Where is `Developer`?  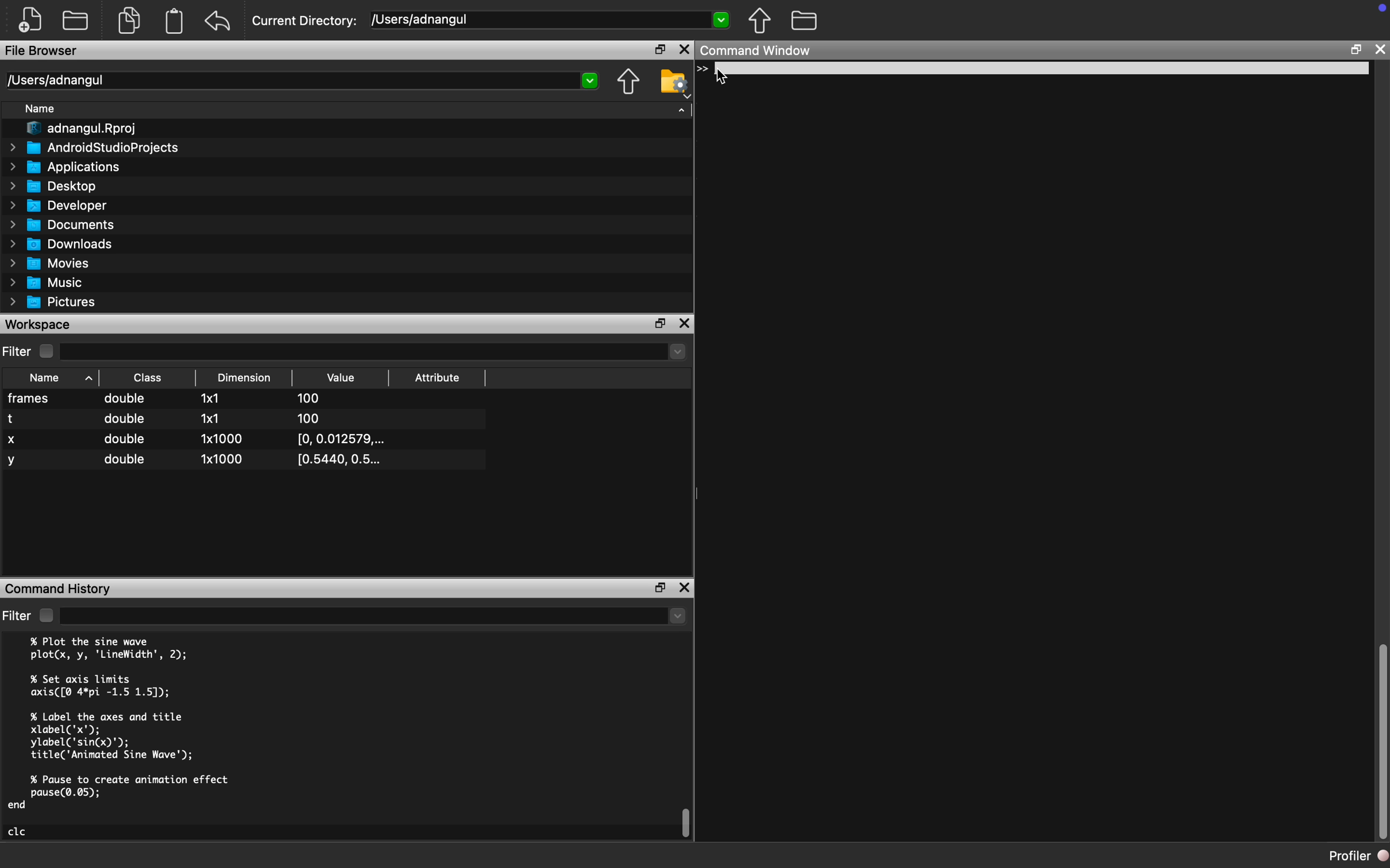
Developer is located at coordinates (60, 208).